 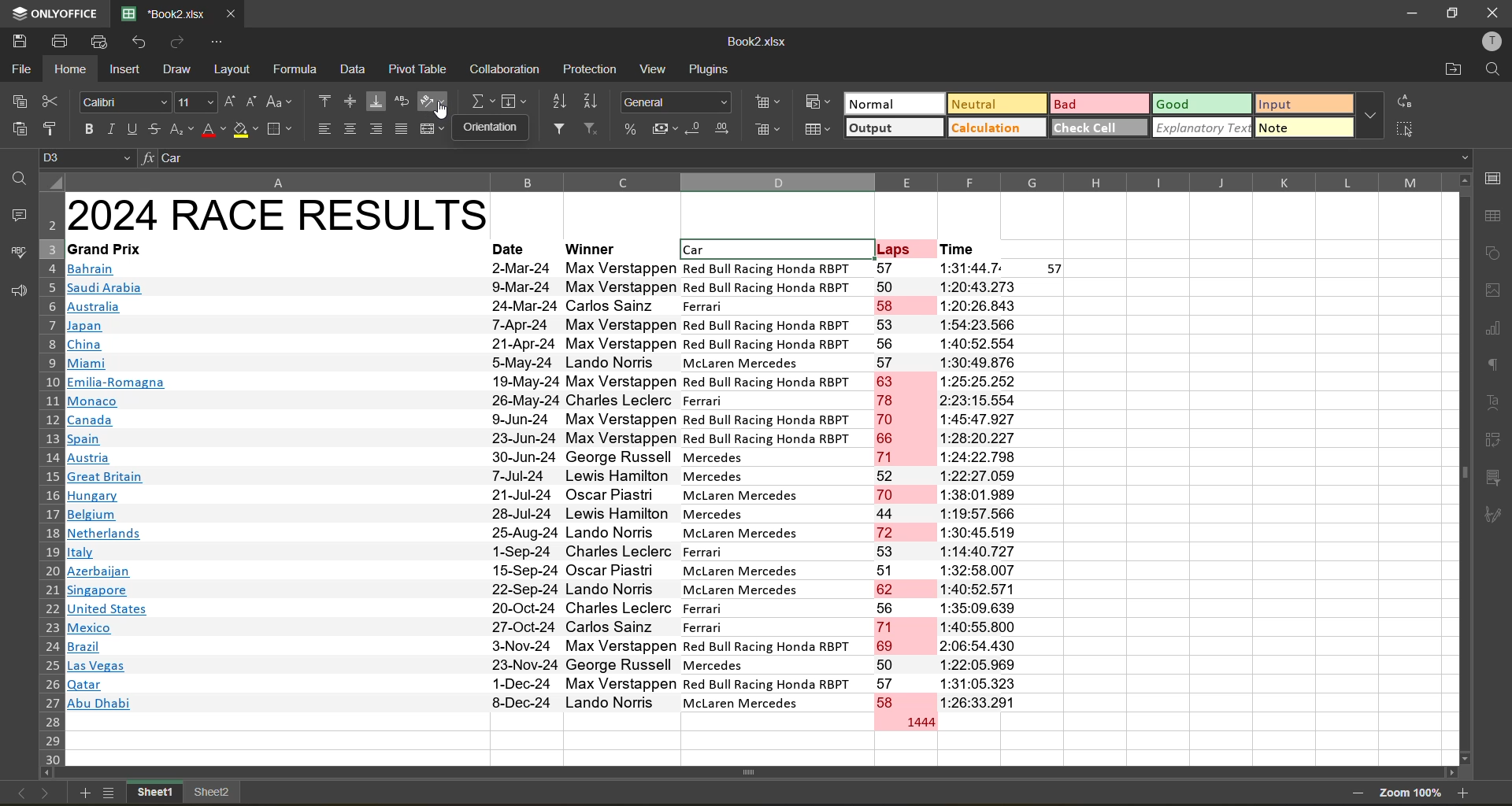 I want to click on summation, so click(x=480, y=100).